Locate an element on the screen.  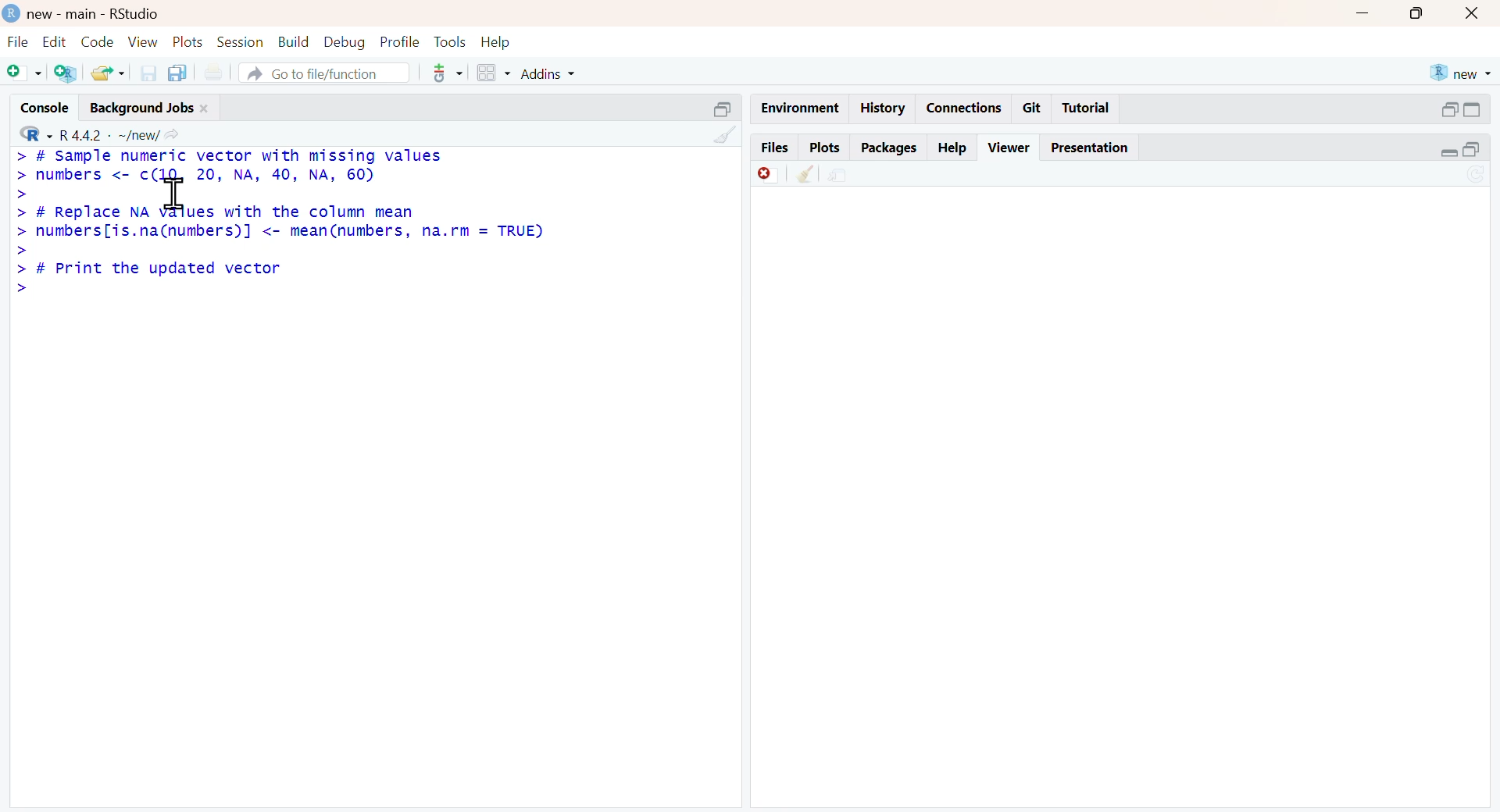
expand/collapse is located at coordinates (1448, 152).